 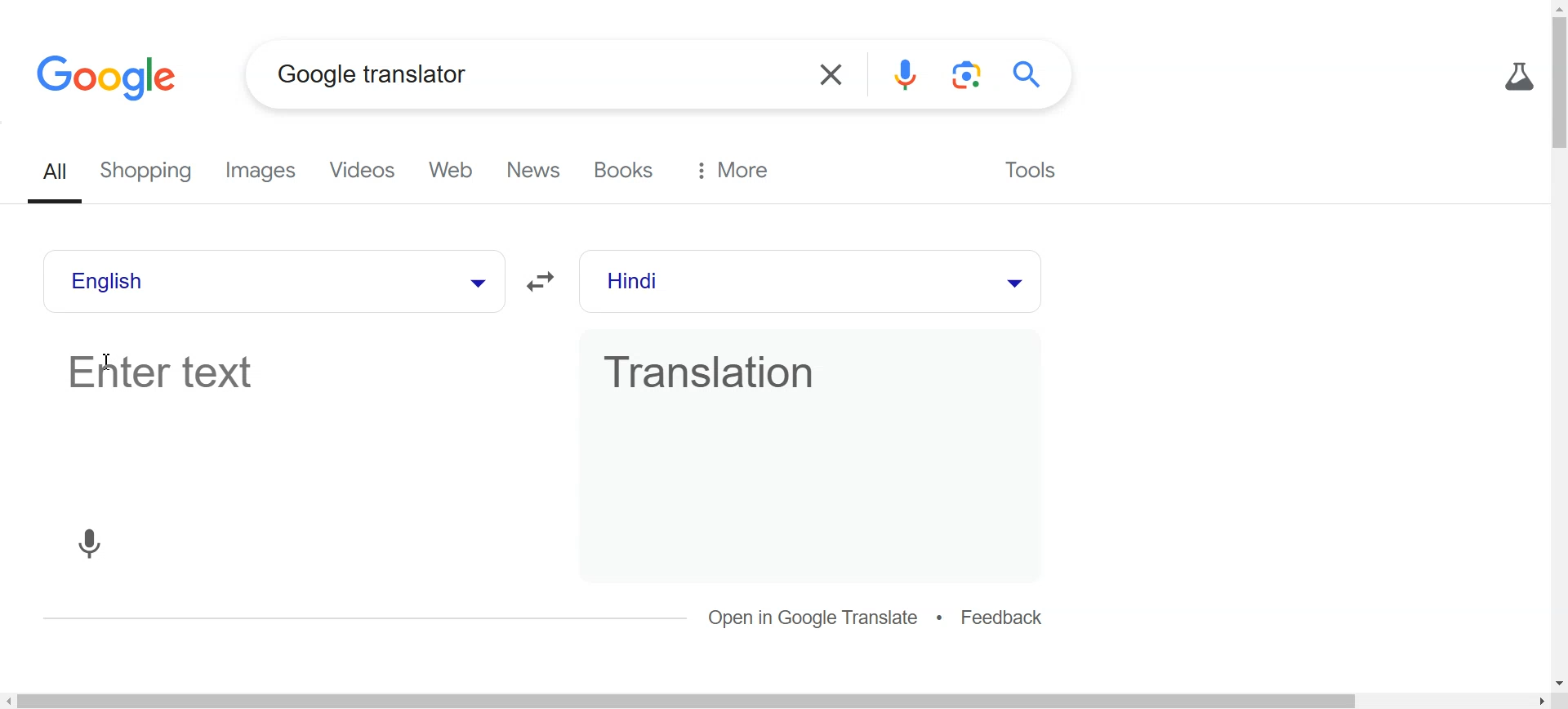 What do you see at coordinates (266, 172) in the screenshot?
I see `Images` at bounding box center [266, 172].